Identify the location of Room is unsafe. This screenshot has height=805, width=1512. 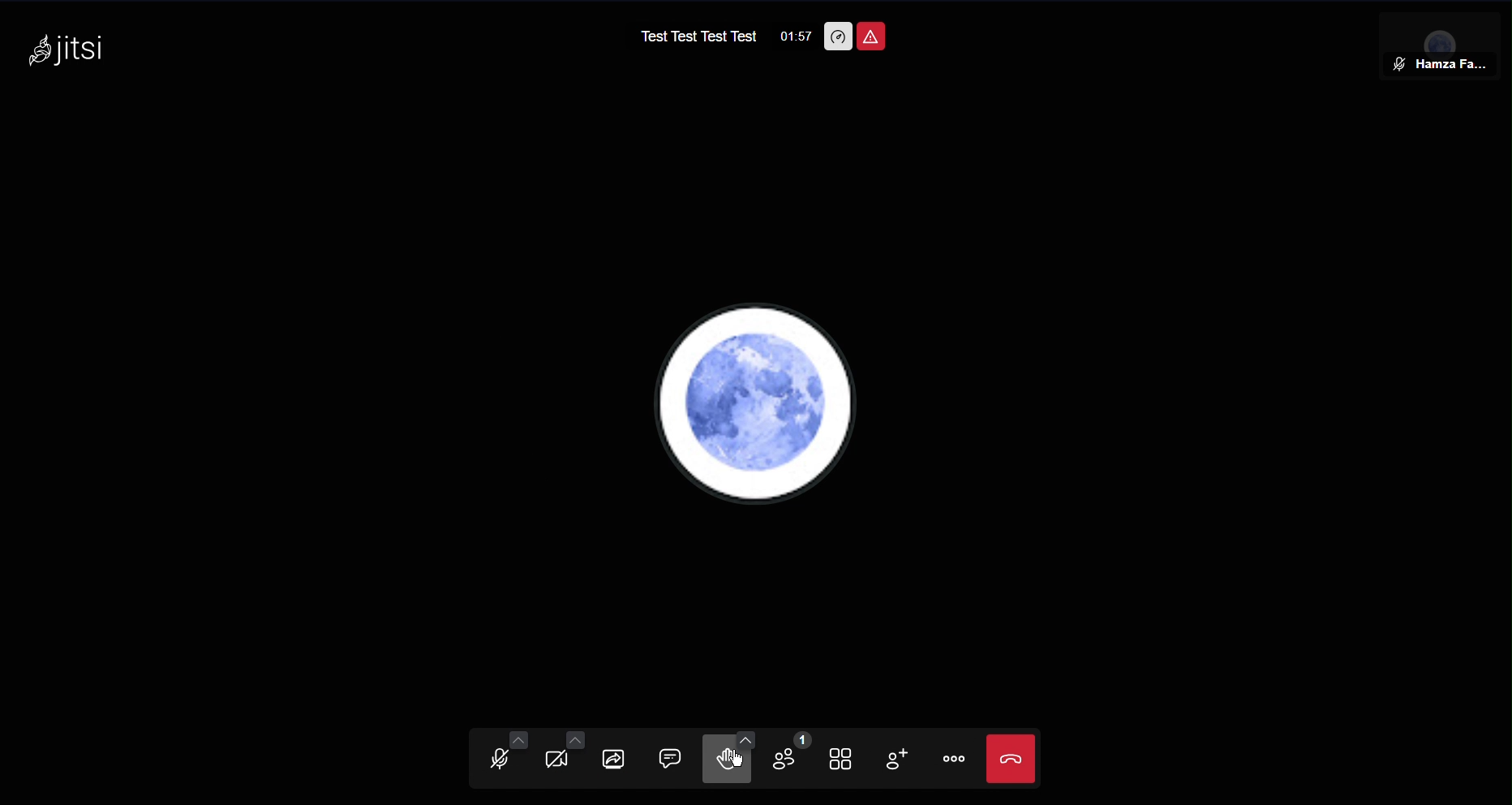
(872, 36).